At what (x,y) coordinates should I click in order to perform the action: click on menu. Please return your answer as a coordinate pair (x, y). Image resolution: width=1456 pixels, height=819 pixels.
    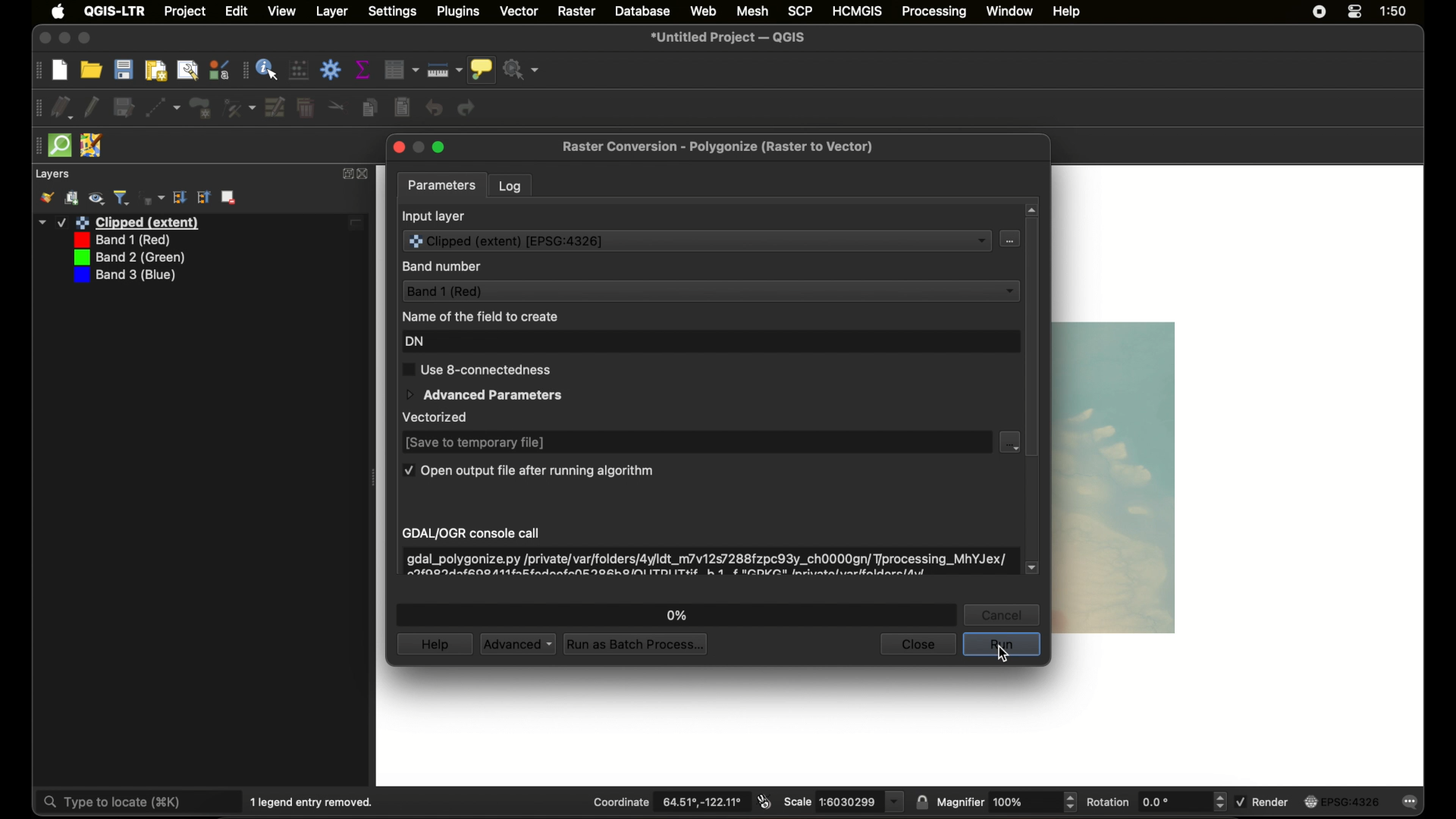
    Looking at the image, I should click on (1008, 239).